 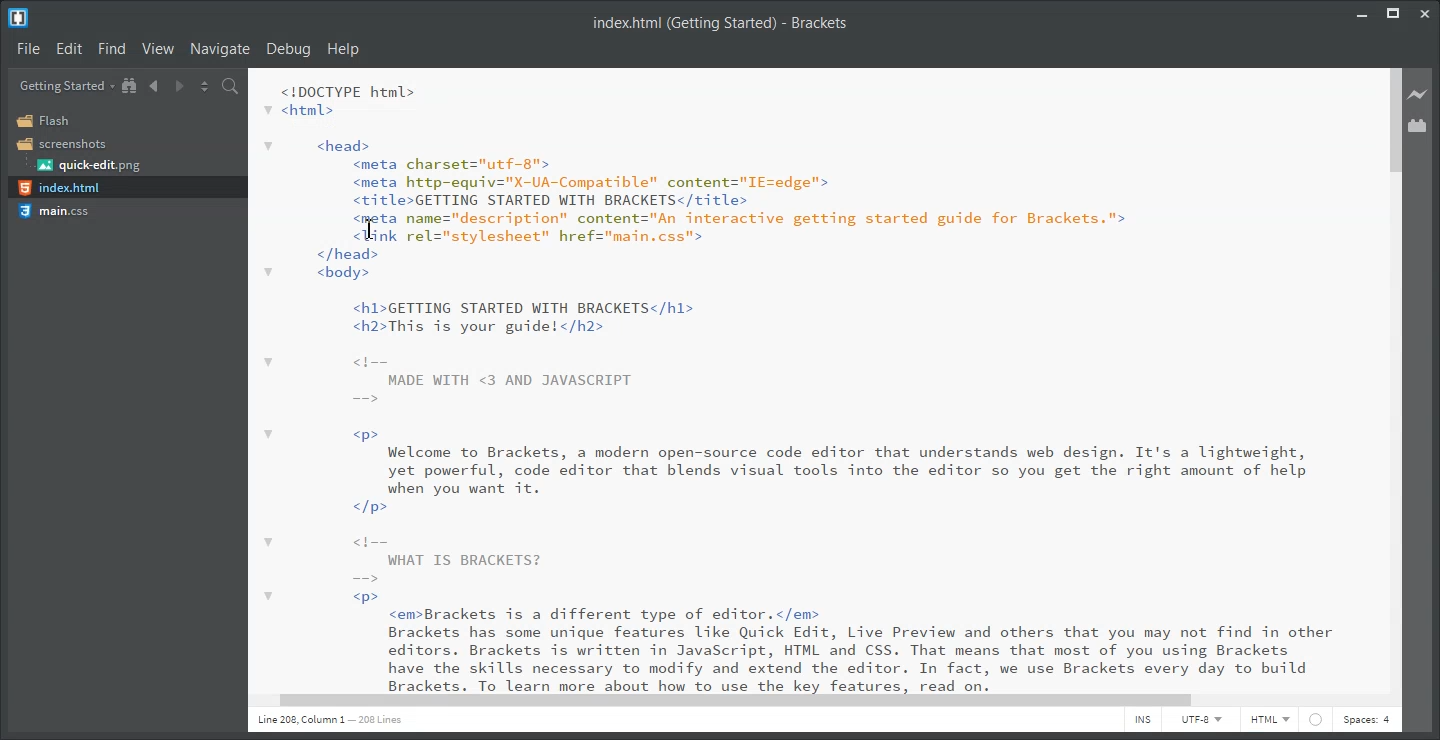 What do you see at coordinates (1272, 720) in the screenshot?
I see `HTML` at bounding box center [1272, 720].